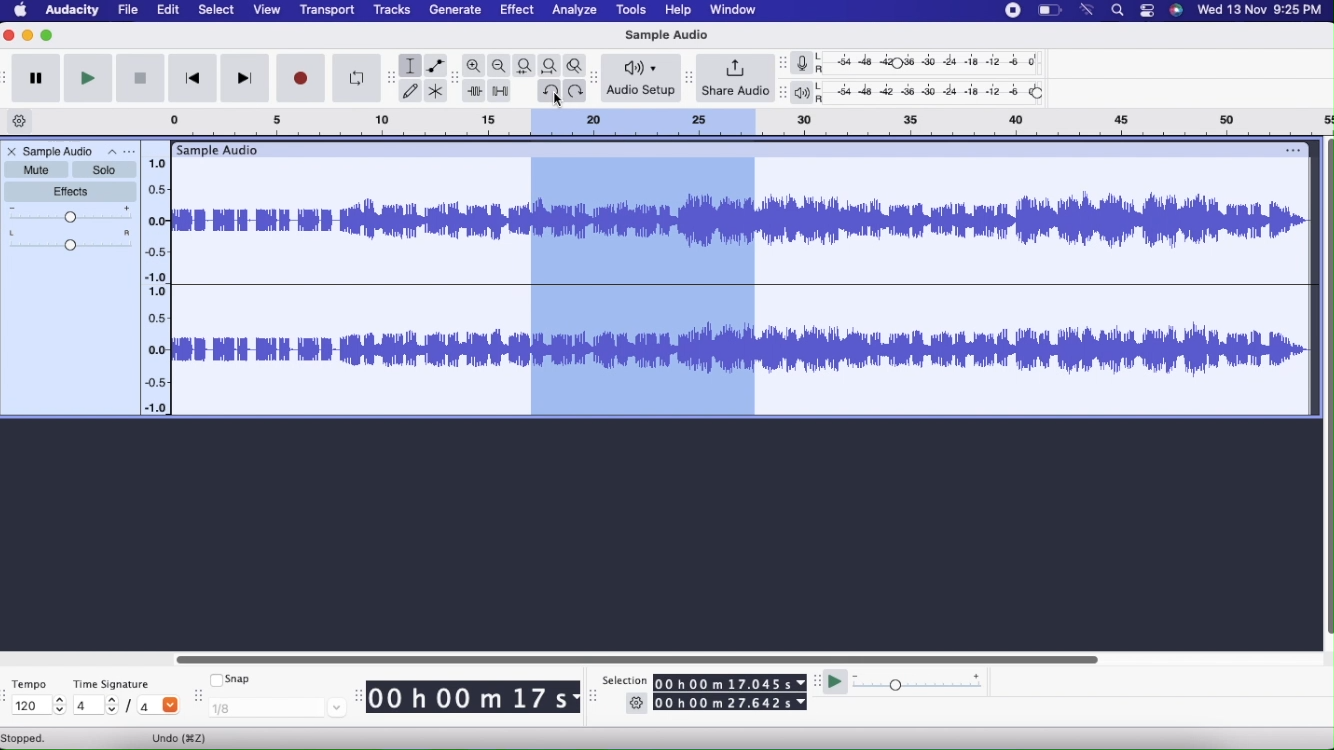 Image resolution: width=1334 pixels, height=750 pixels. I want to click on Snap, so click(229, 679).